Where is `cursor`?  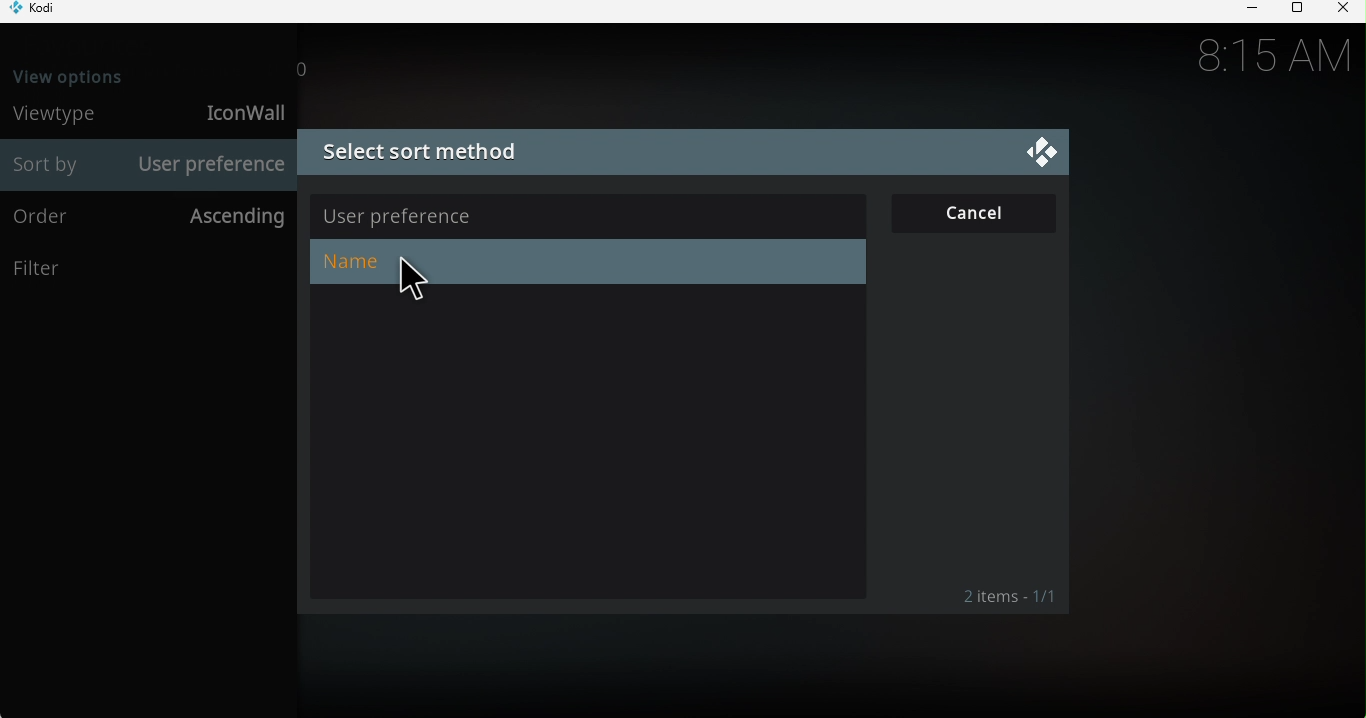 cursor is located at coordinates (402, 286).